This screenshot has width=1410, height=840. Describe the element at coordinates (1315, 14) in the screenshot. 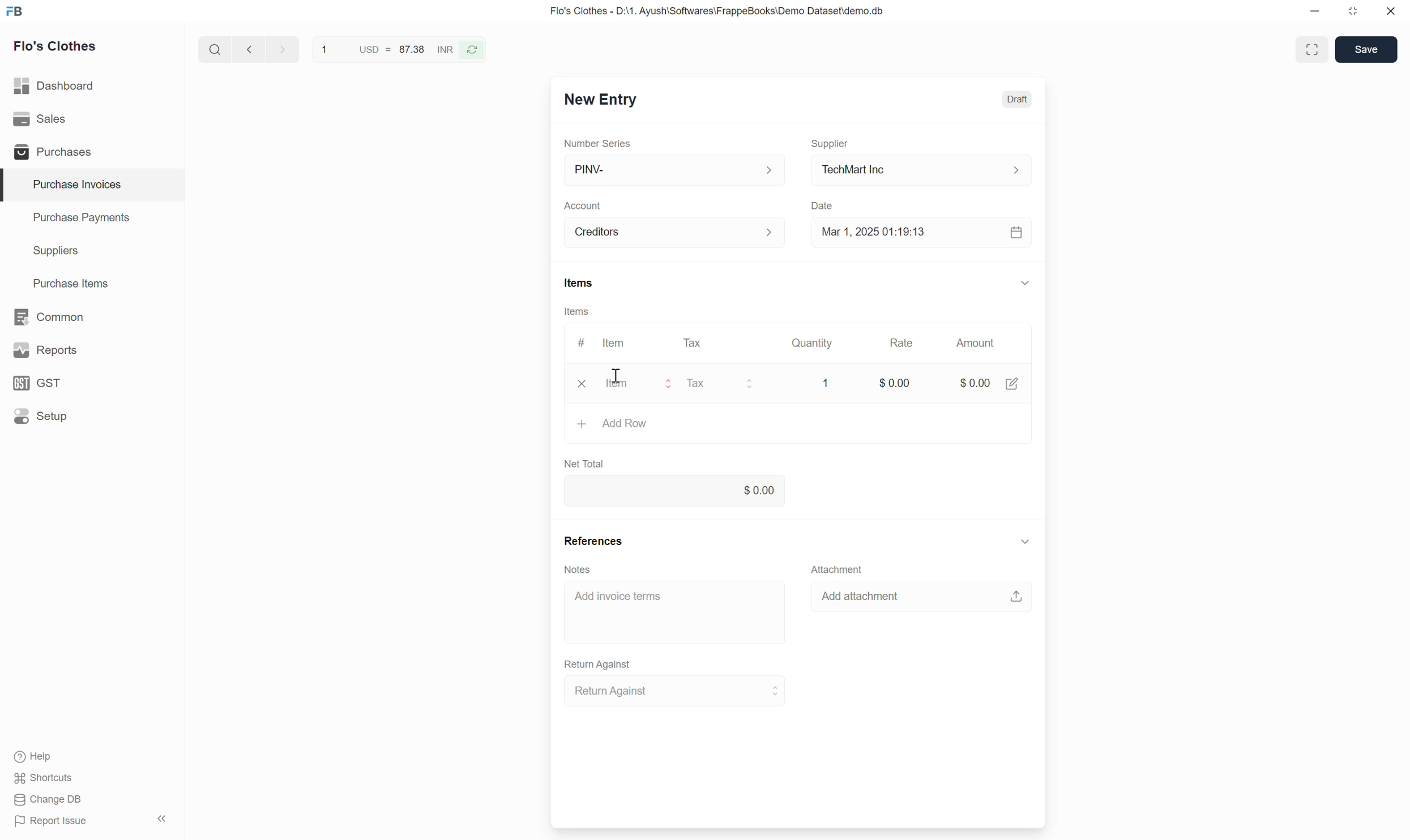

I see `minimize` at that location.